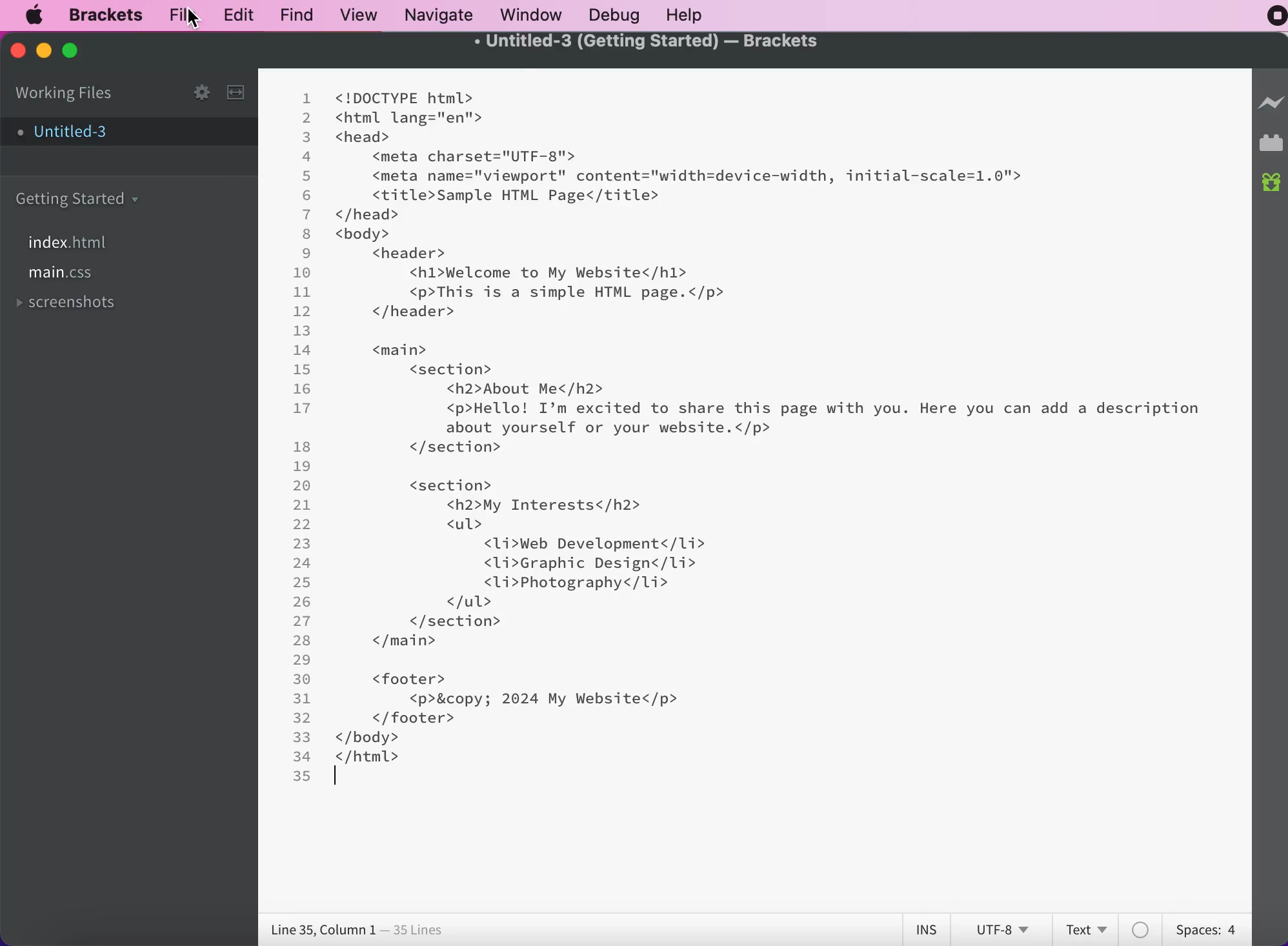  Describe the element at coordinates (303, 332) in the screenshot. I see `13` at that location.